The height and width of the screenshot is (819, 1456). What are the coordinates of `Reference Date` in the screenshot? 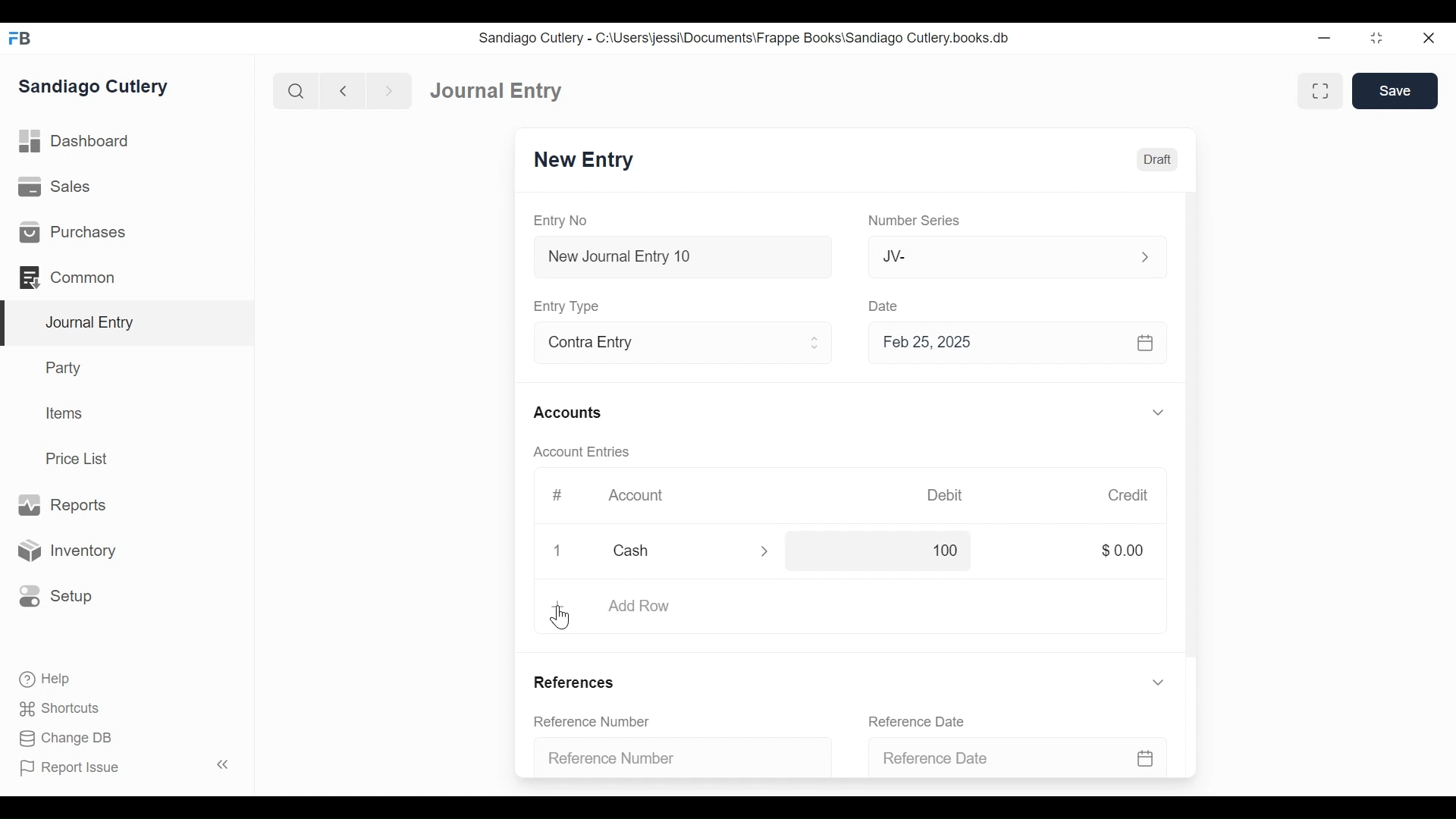 It's located at (1016, 752).